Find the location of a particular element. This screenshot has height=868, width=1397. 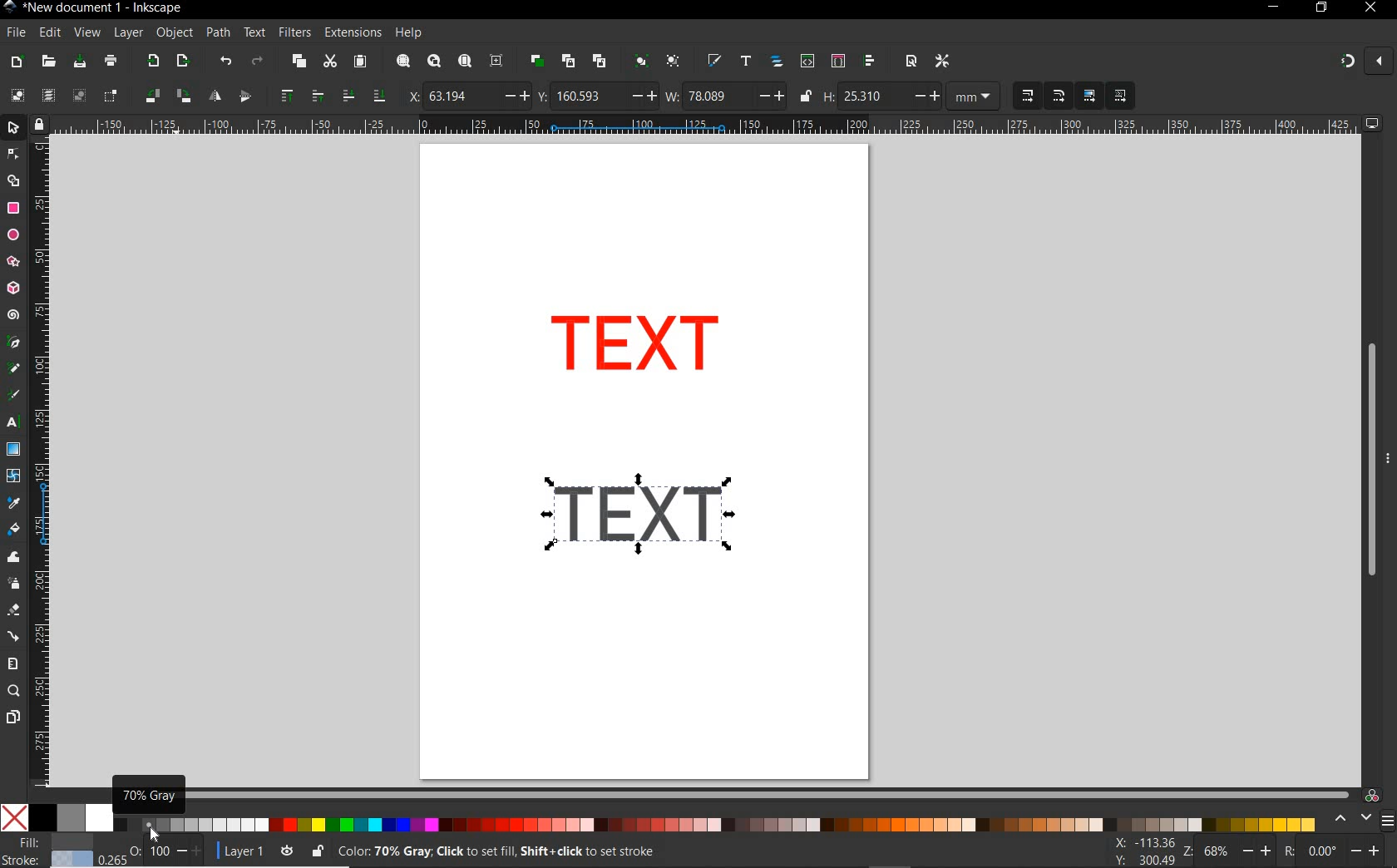

paste is located at coordinates (359, 62).